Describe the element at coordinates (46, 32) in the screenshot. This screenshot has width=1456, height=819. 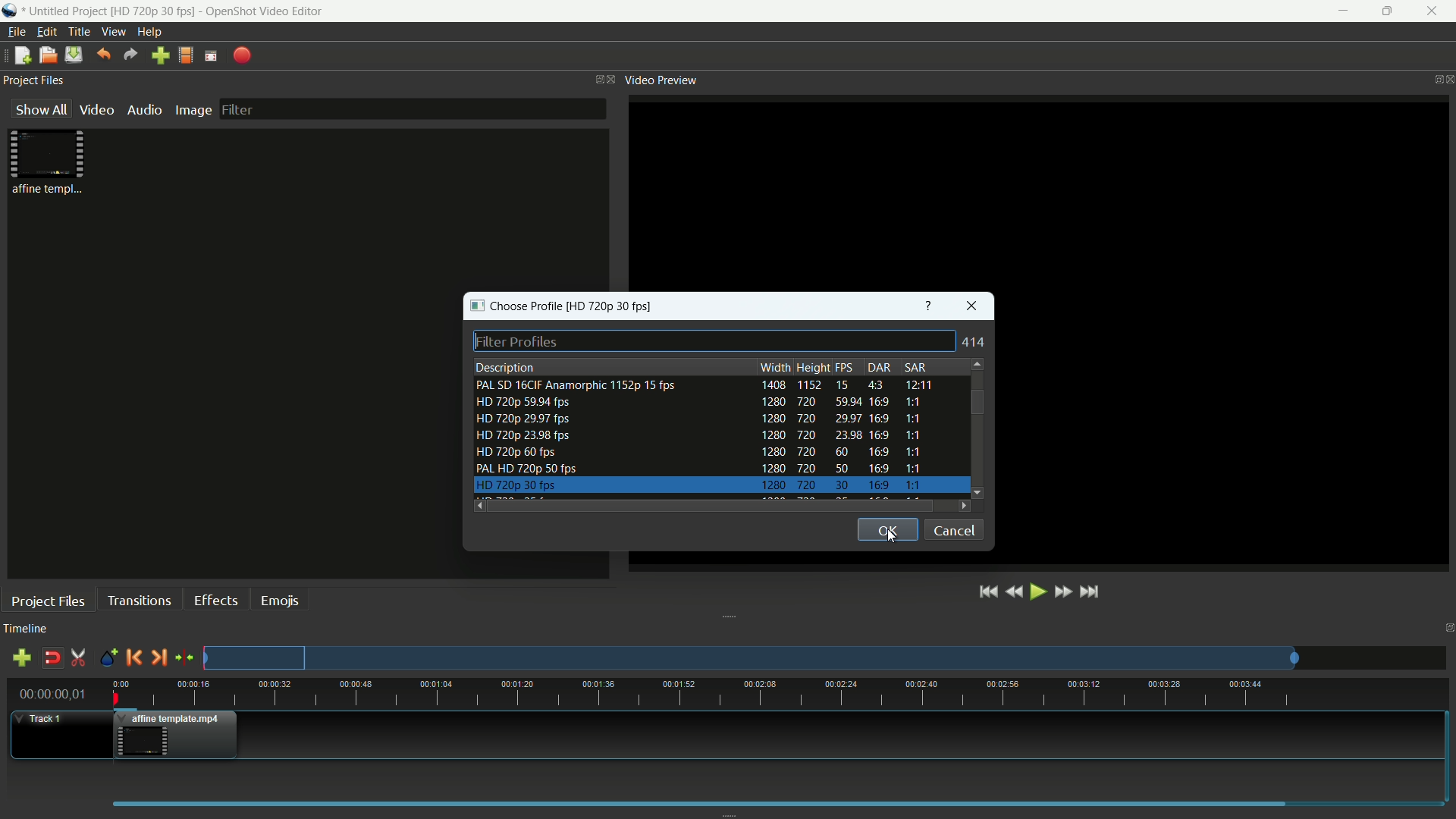
I see `edit menu` at that location.